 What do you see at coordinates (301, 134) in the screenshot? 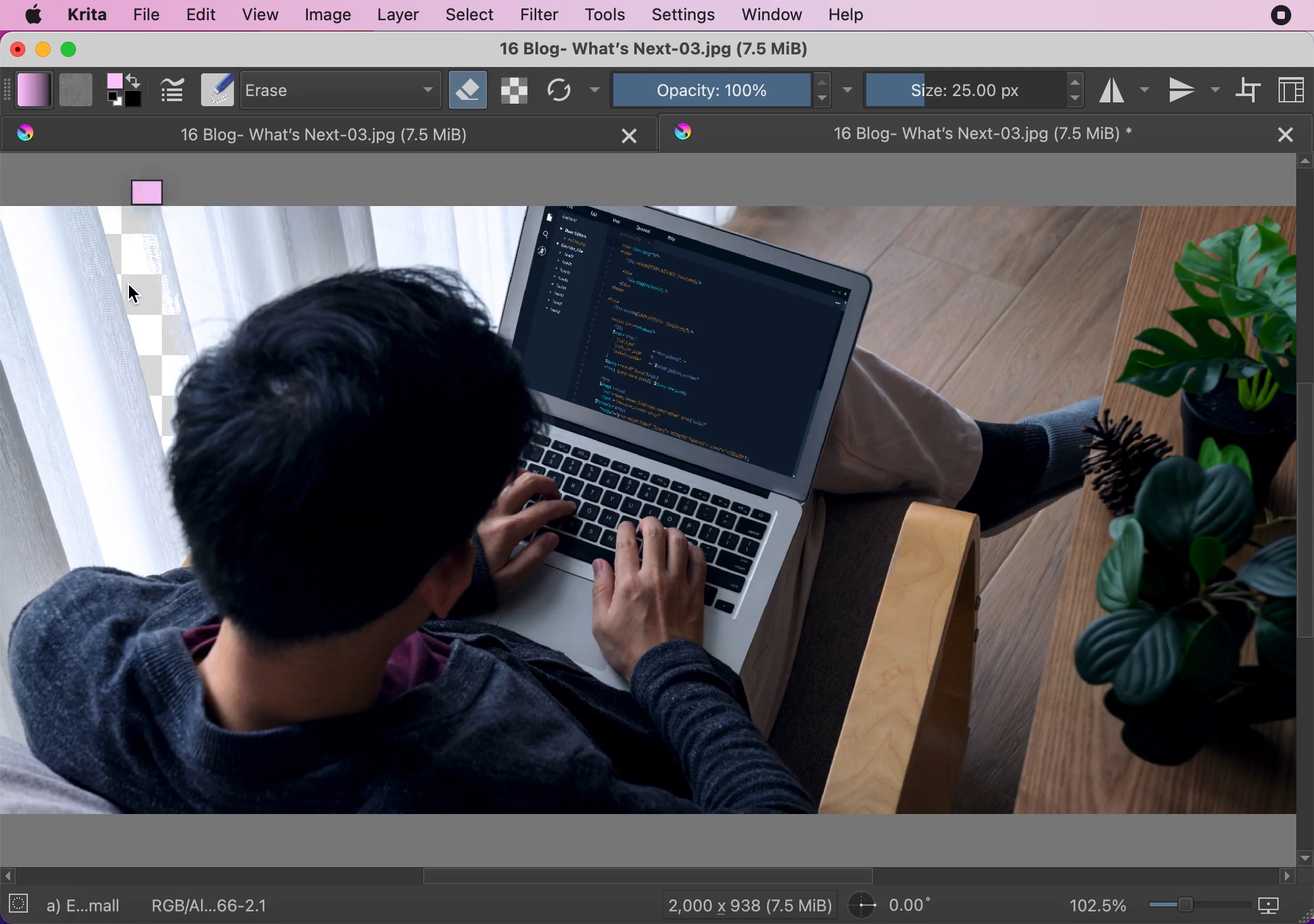
I see `16 Blog- What's Next-03.jpg (7.5 MiB)` at bounding box center [301, 134].